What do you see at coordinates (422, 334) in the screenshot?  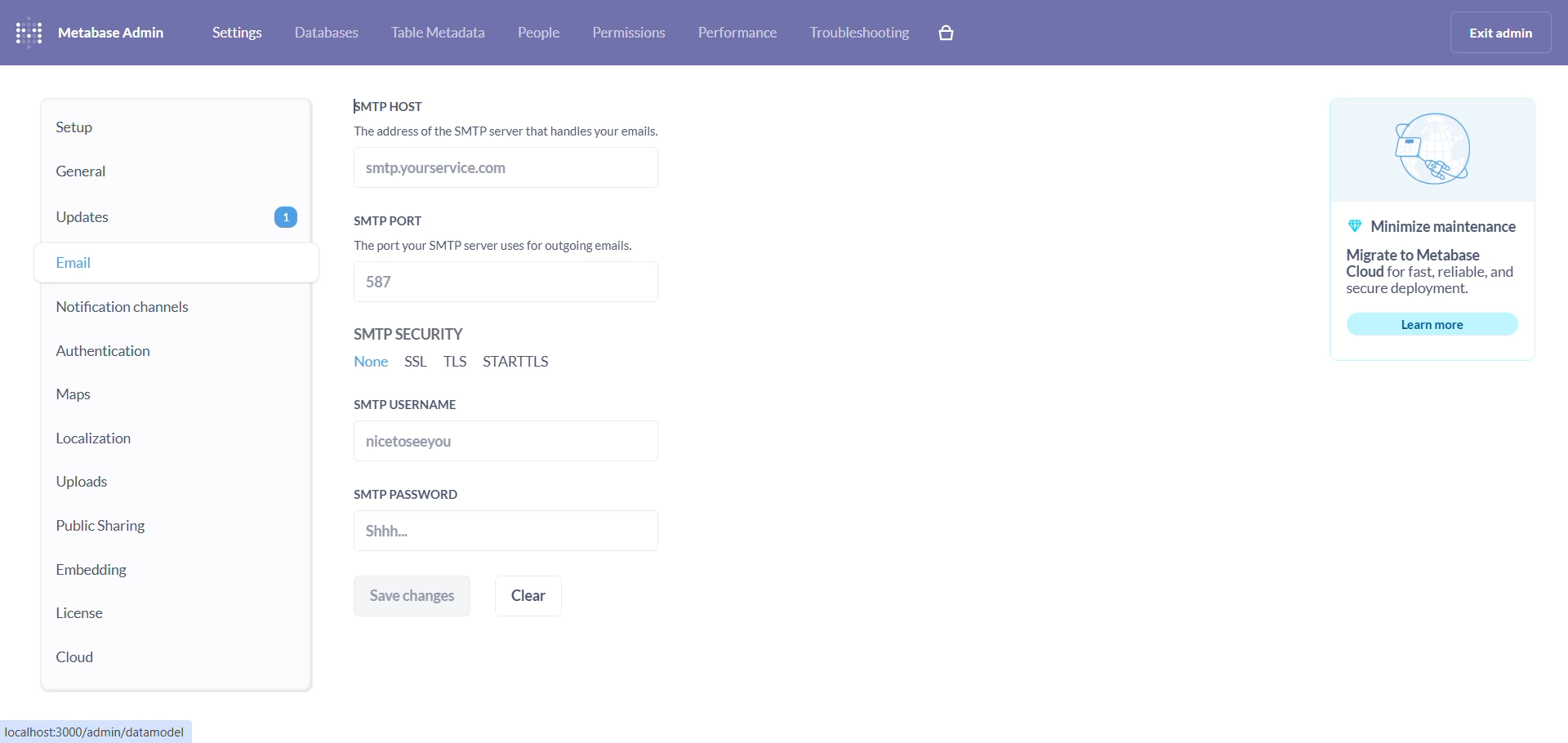 I see `SMTP security heading` at bounding box center [422, 334].